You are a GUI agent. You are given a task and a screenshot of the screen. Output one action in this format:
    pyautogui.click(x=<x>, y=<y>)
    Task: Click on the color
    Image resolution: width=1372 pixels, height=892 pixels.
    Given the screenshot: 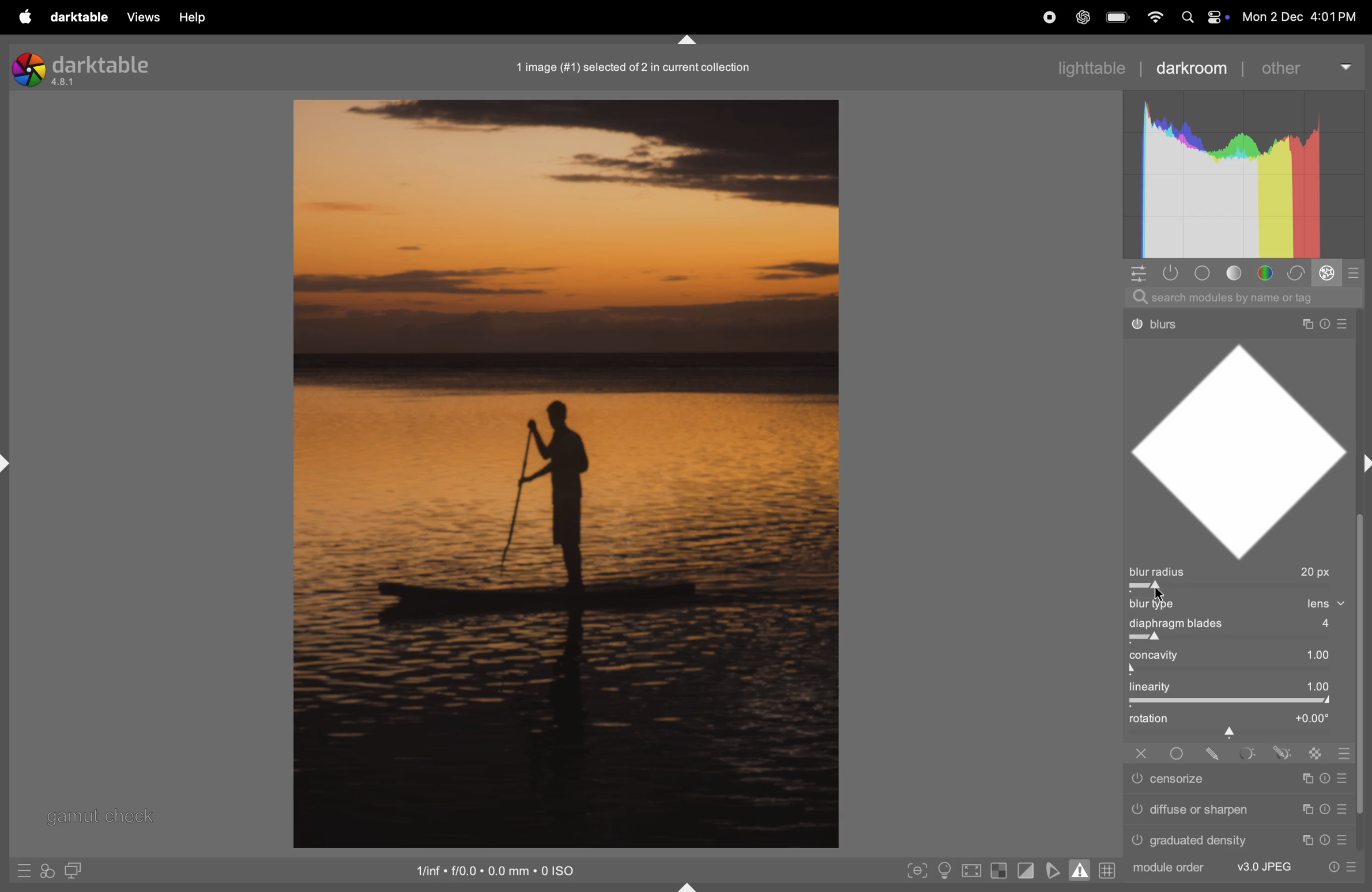 What is the action you would take?
    pyautogui.click(x=1268, y=272)
    